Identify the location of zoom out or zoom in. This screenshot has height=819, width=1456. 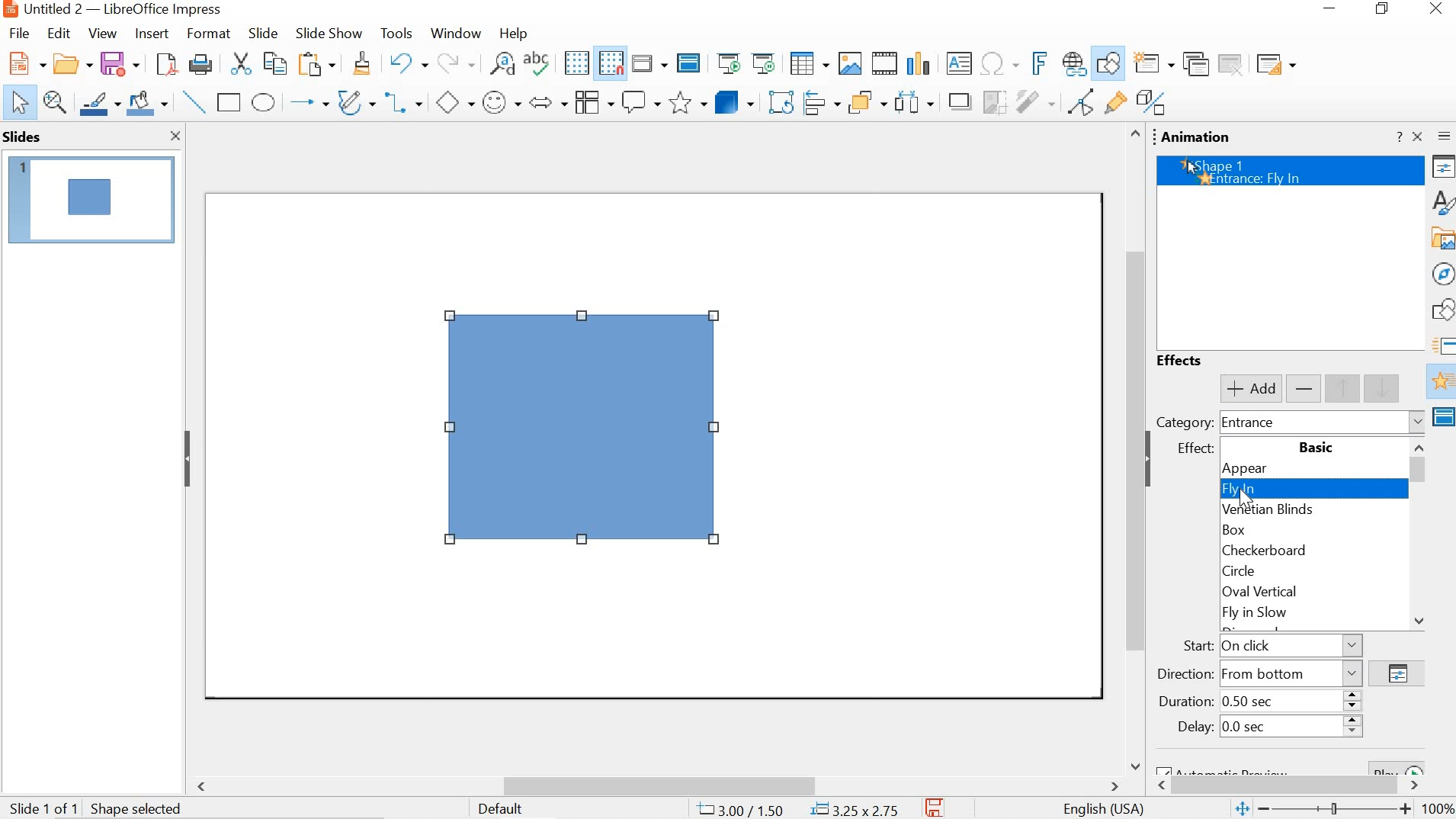
(1324, 809).